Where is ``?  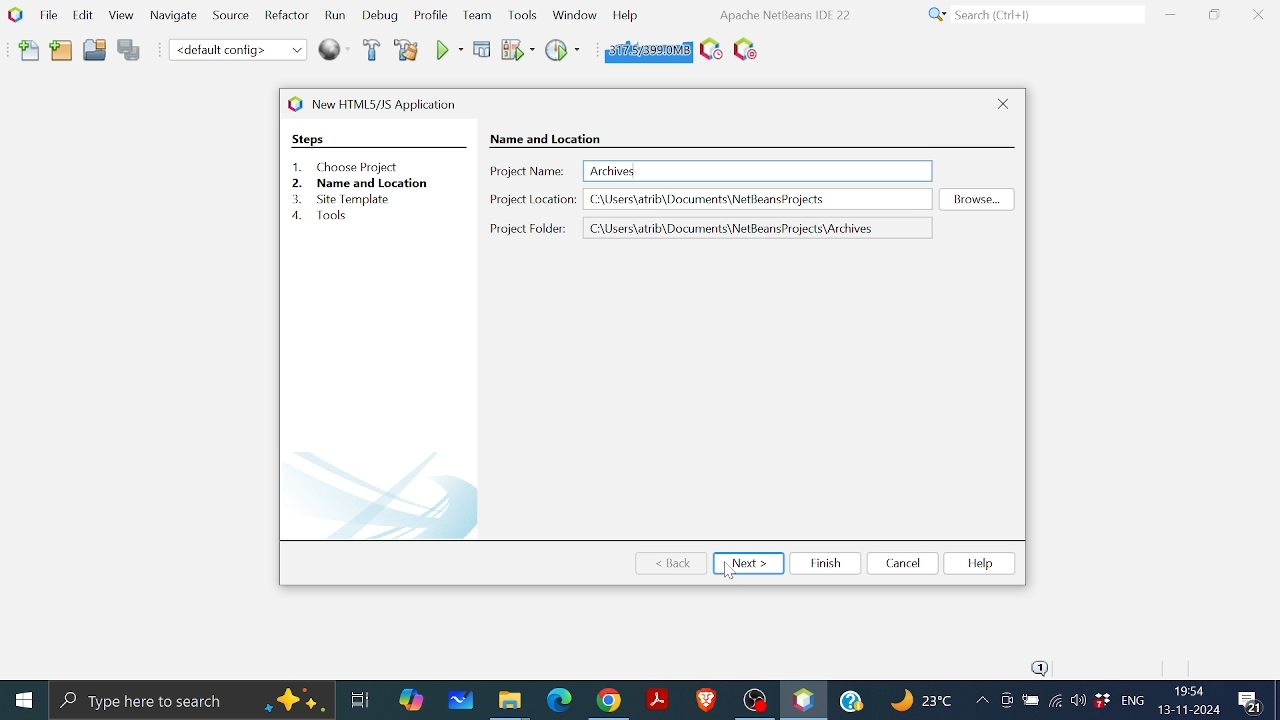  is located at coordinates (1078, 699).